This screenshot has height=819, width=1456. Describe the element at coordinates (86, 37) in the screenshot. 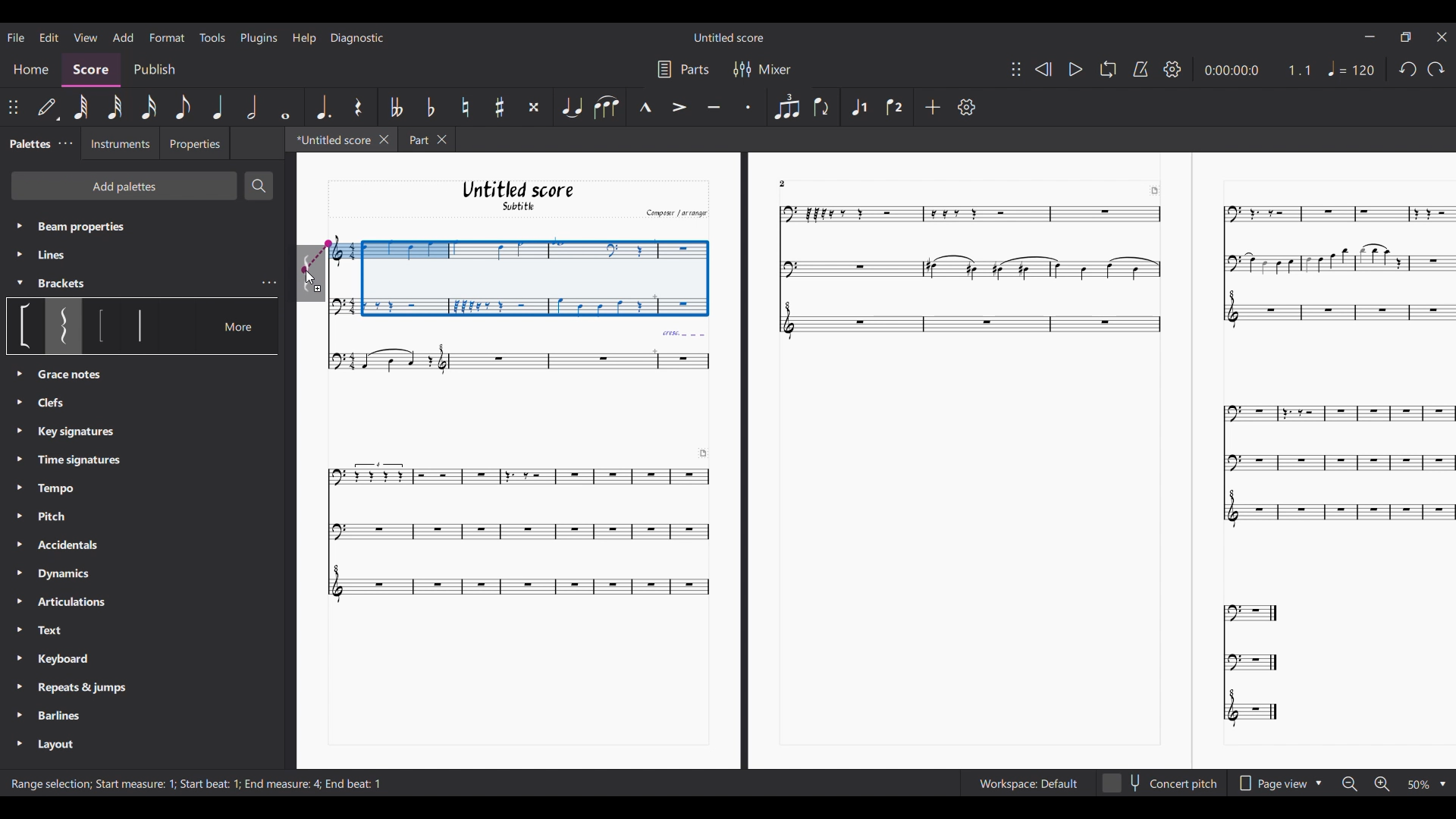

I see `View ` at that location.